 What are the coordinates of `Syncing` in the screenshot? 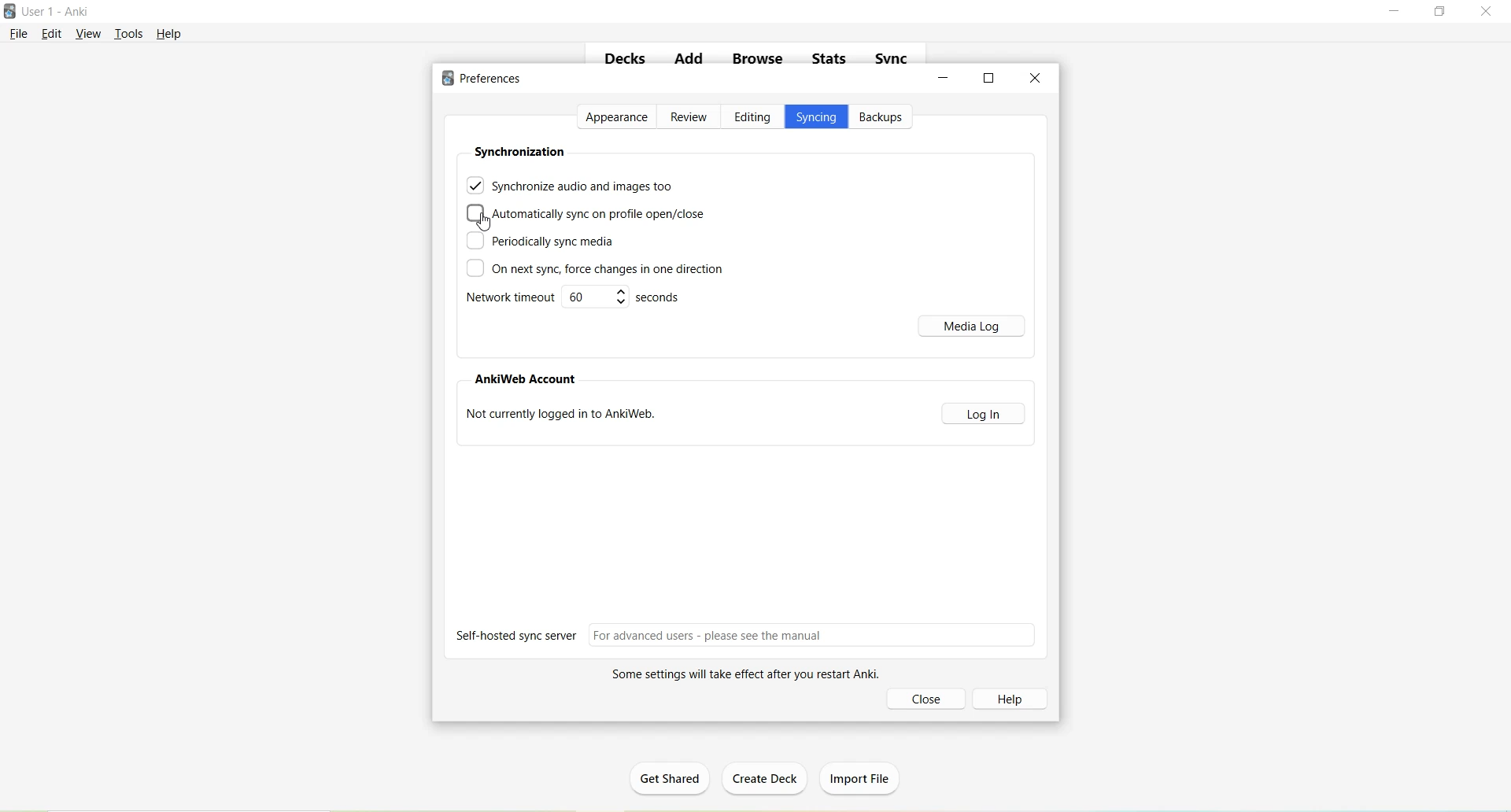 It's located at (816, 119).